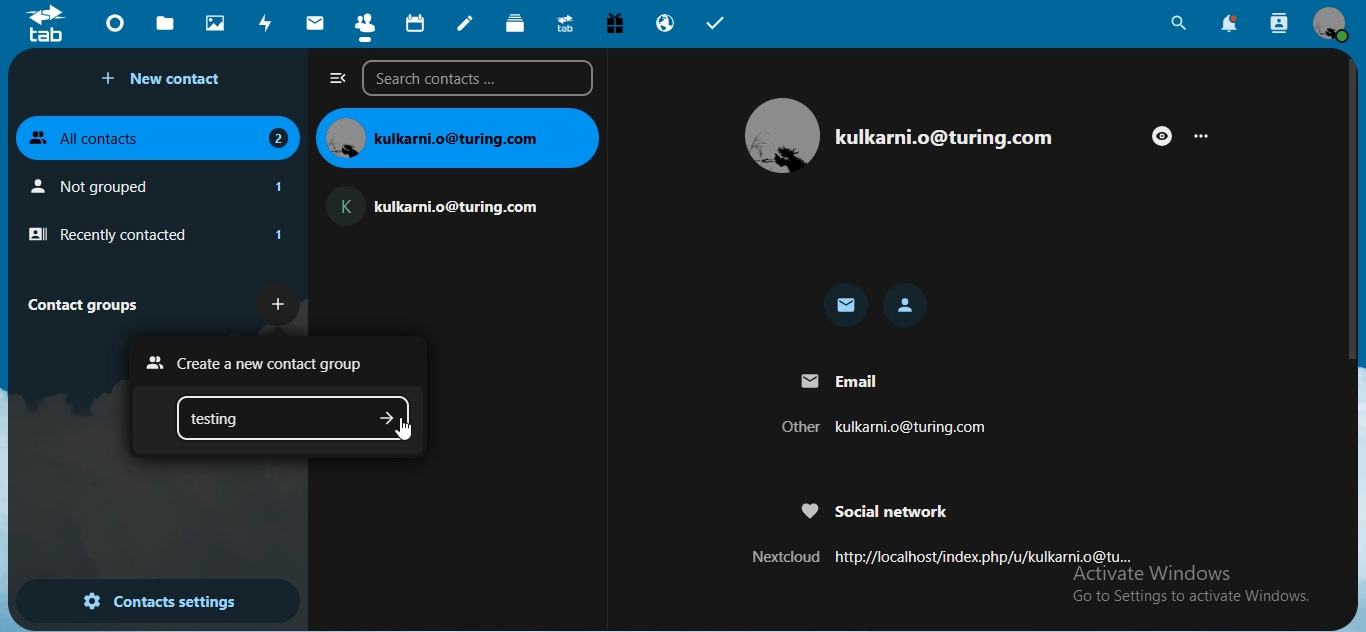 This screenshot has width=1366, height=632. Describe the element at coordinates (118, 28) in the screenshot. I see `dashboard` at that location.